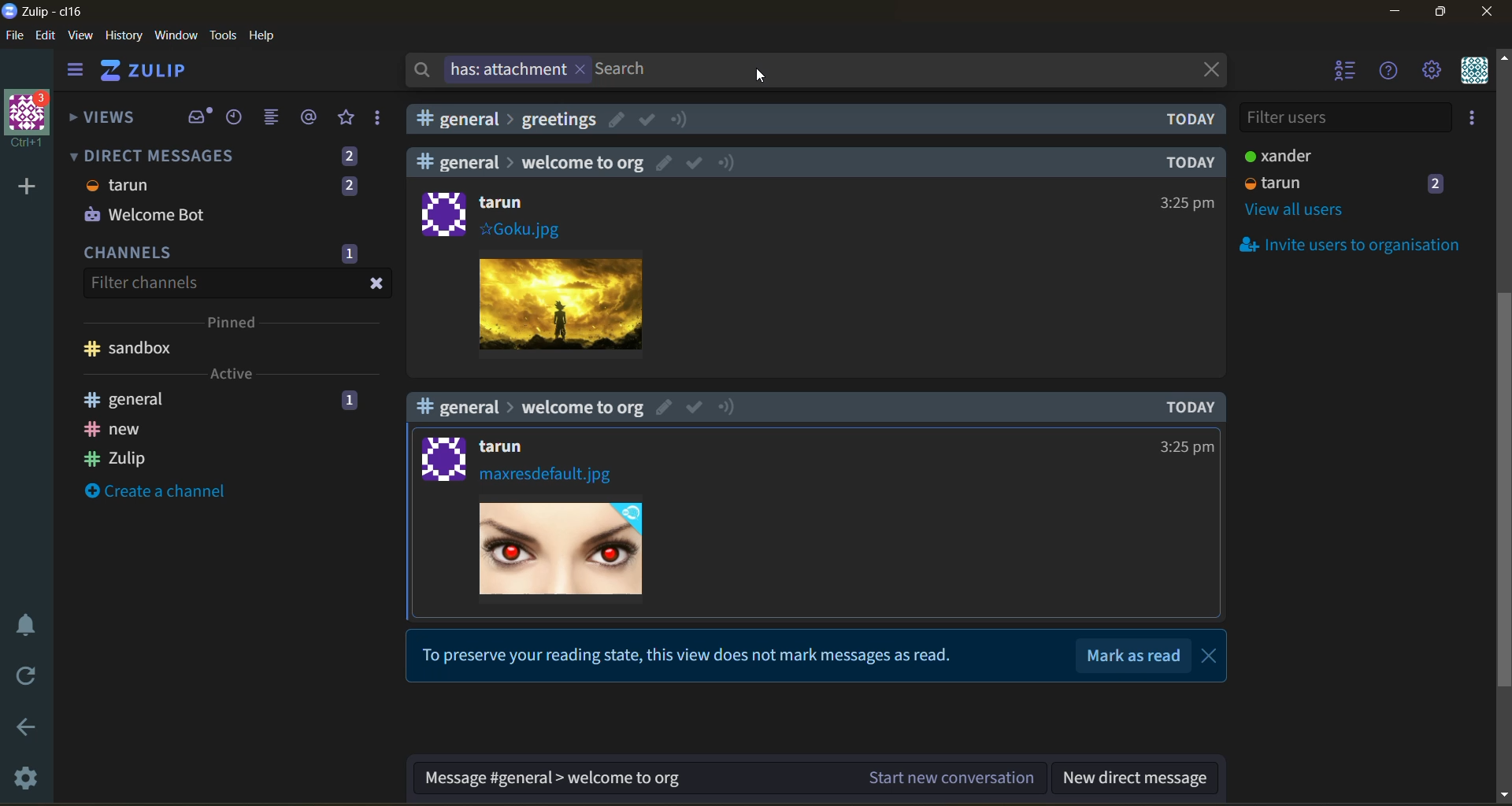  What do you see at coordinates (1194, 405) in the screenshot?
I see `TODAY` at bounding box center [1194, 405].